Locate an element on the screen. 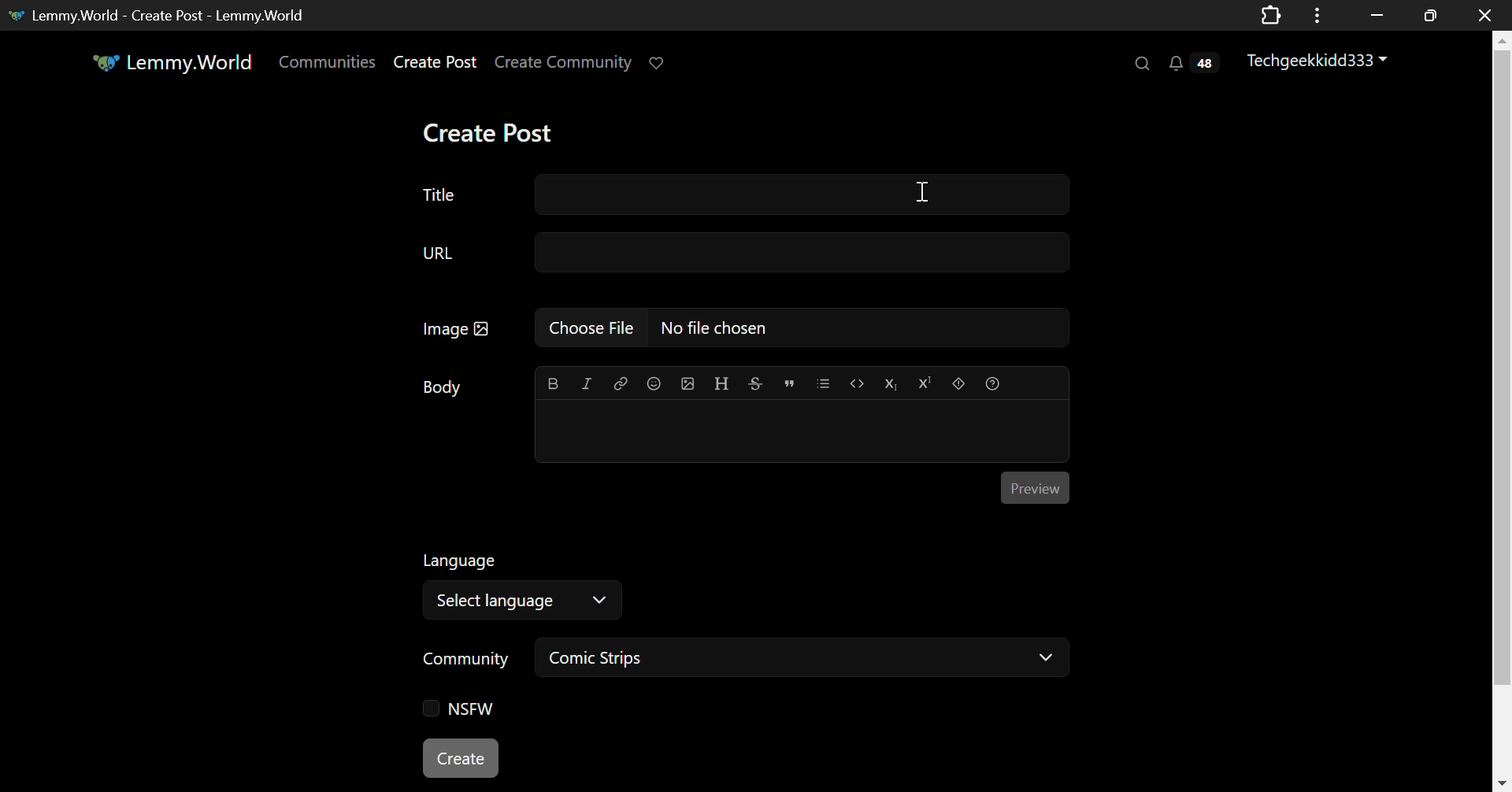  Body is located at coordinates (443, 387).